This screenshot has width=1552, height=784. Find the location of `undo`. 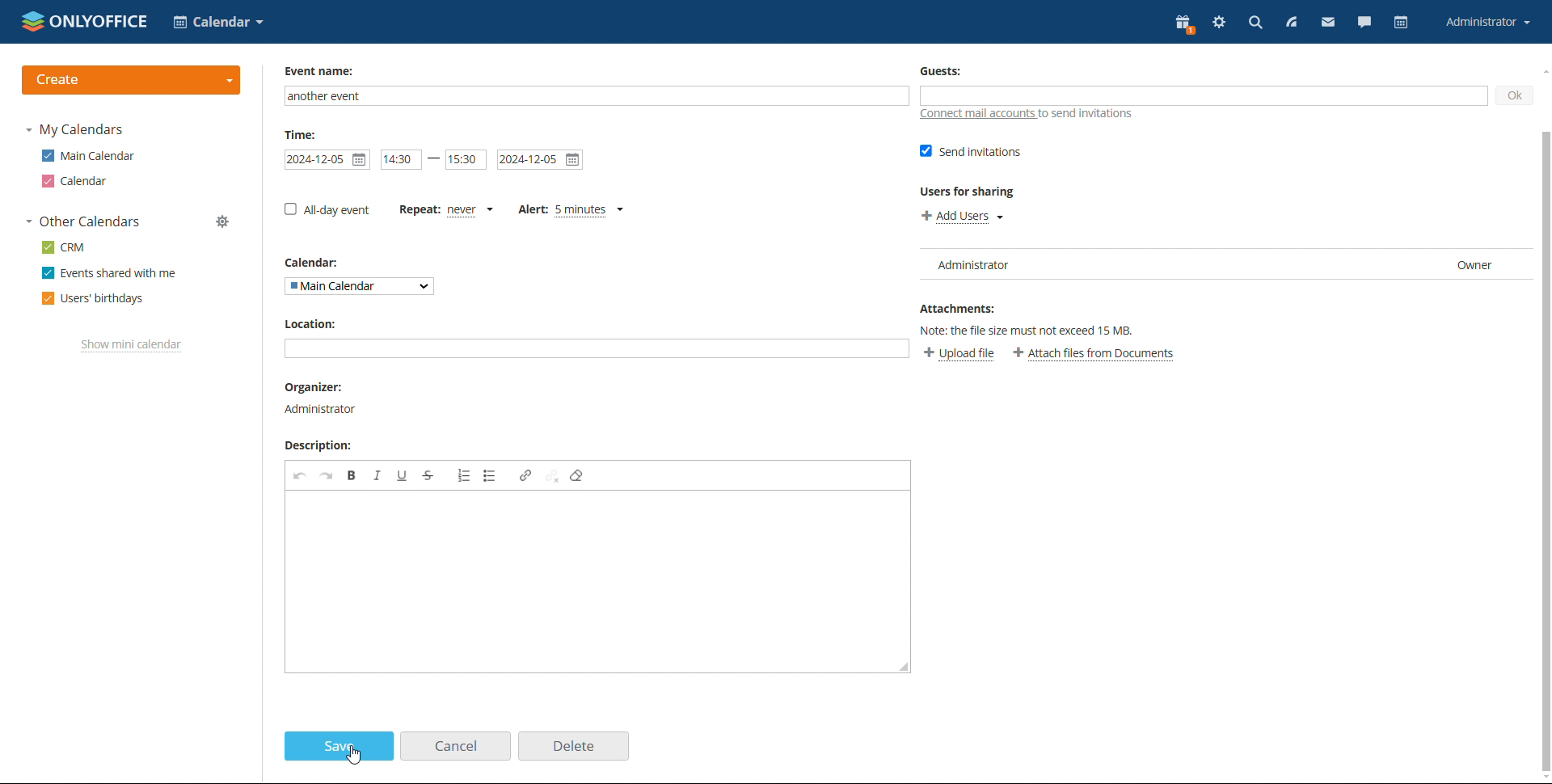

undo is located at coordinates (299, 478).